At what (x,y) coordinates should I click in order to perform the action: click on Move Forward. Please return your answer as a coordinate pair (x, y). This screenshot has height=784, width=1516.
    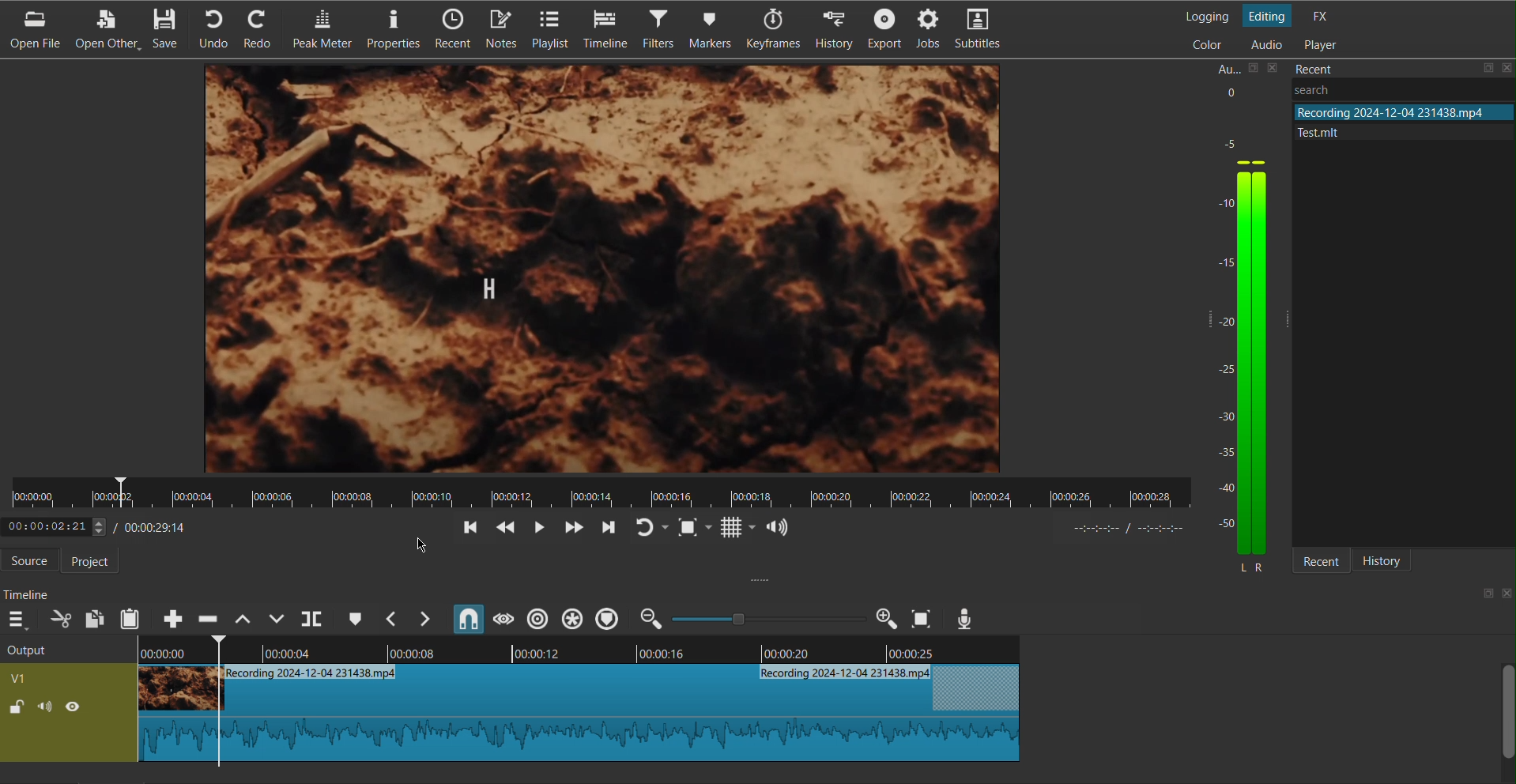
    Looking at the image, I should click on (605, 529).